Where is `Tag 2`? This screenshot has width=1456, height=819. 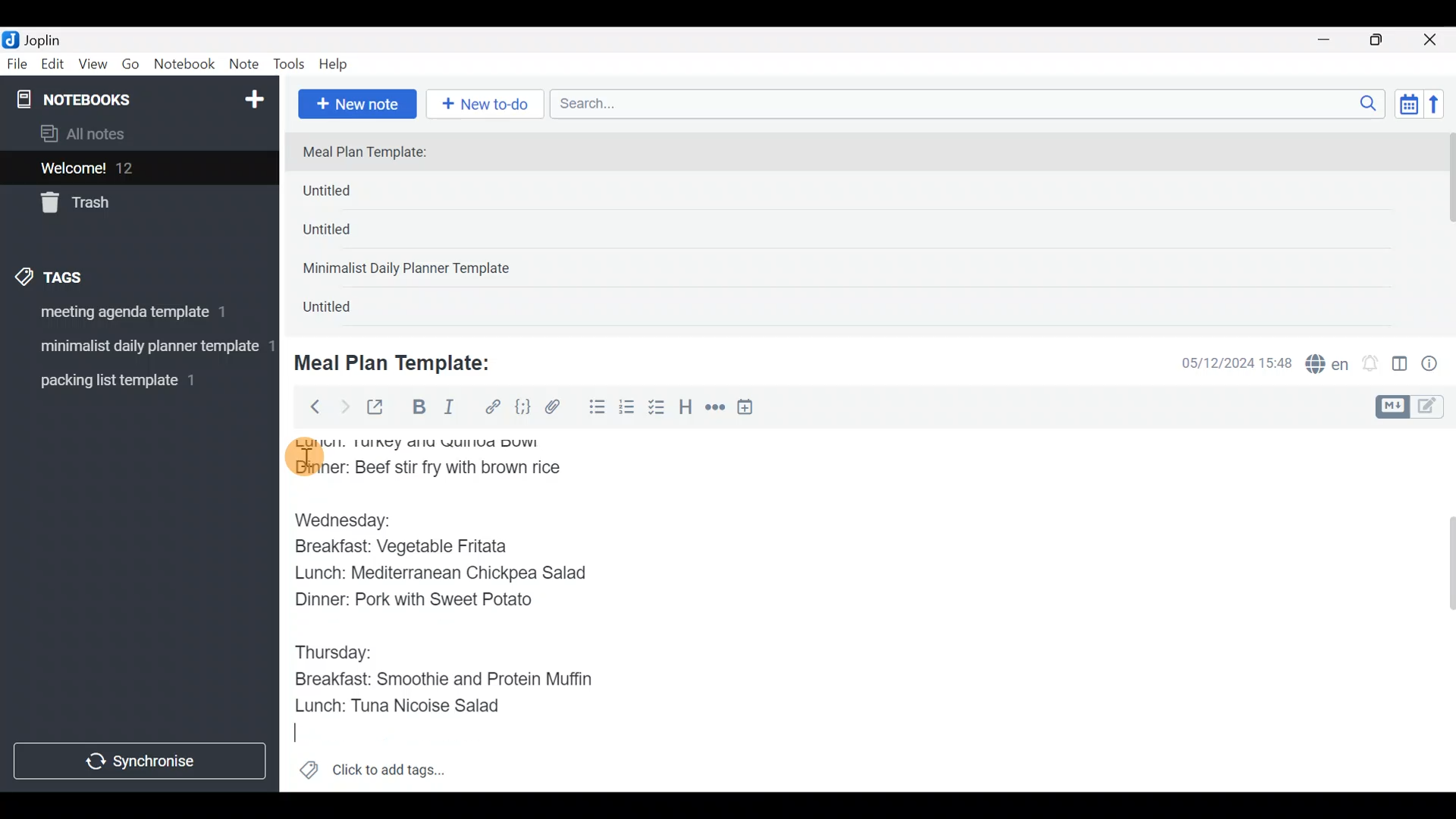 Tag 2 is located at coordinates (139, 348).